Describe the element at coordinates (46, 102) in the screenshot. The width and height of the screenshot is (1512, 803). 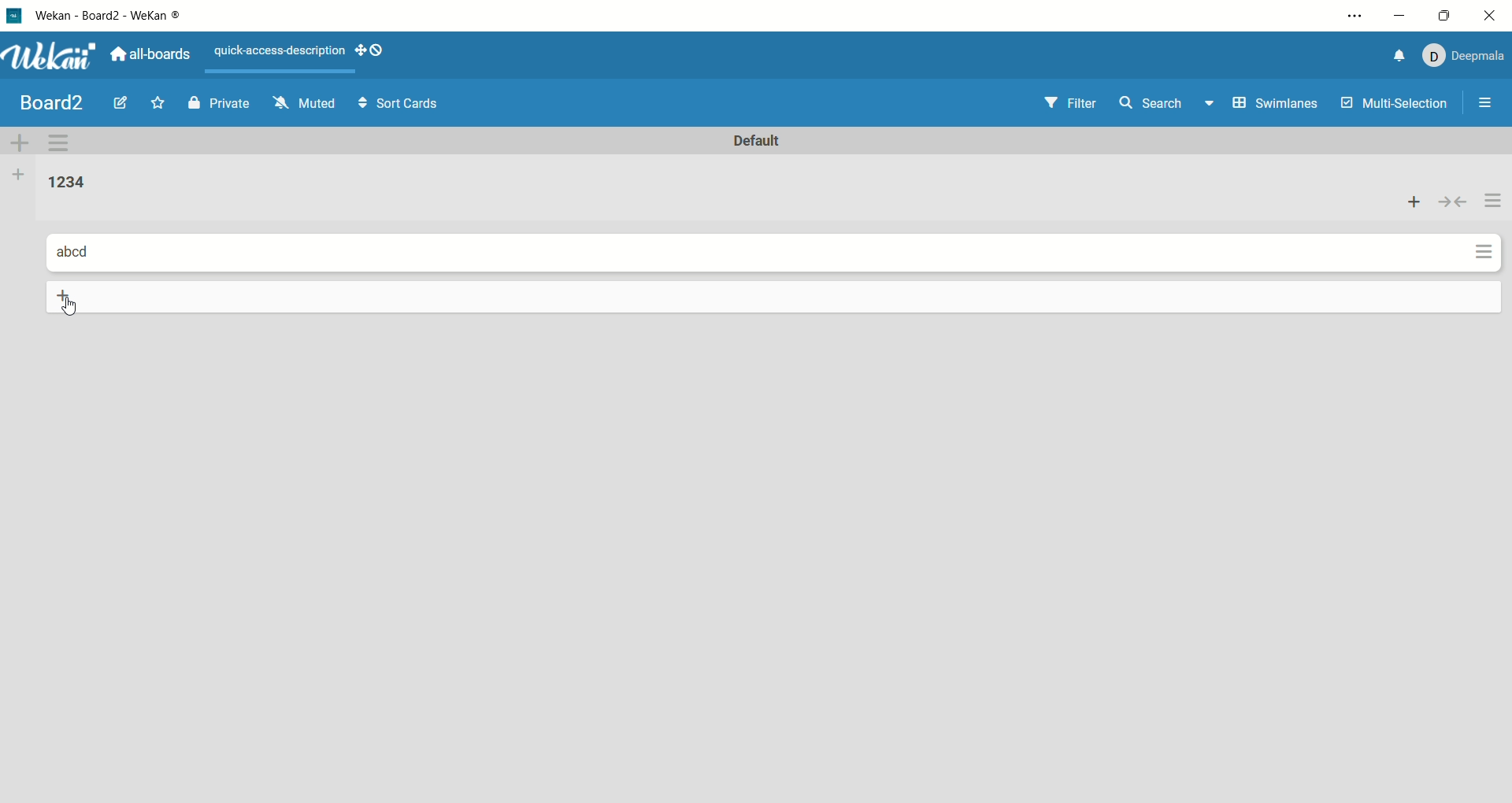
I see `title` at that location.